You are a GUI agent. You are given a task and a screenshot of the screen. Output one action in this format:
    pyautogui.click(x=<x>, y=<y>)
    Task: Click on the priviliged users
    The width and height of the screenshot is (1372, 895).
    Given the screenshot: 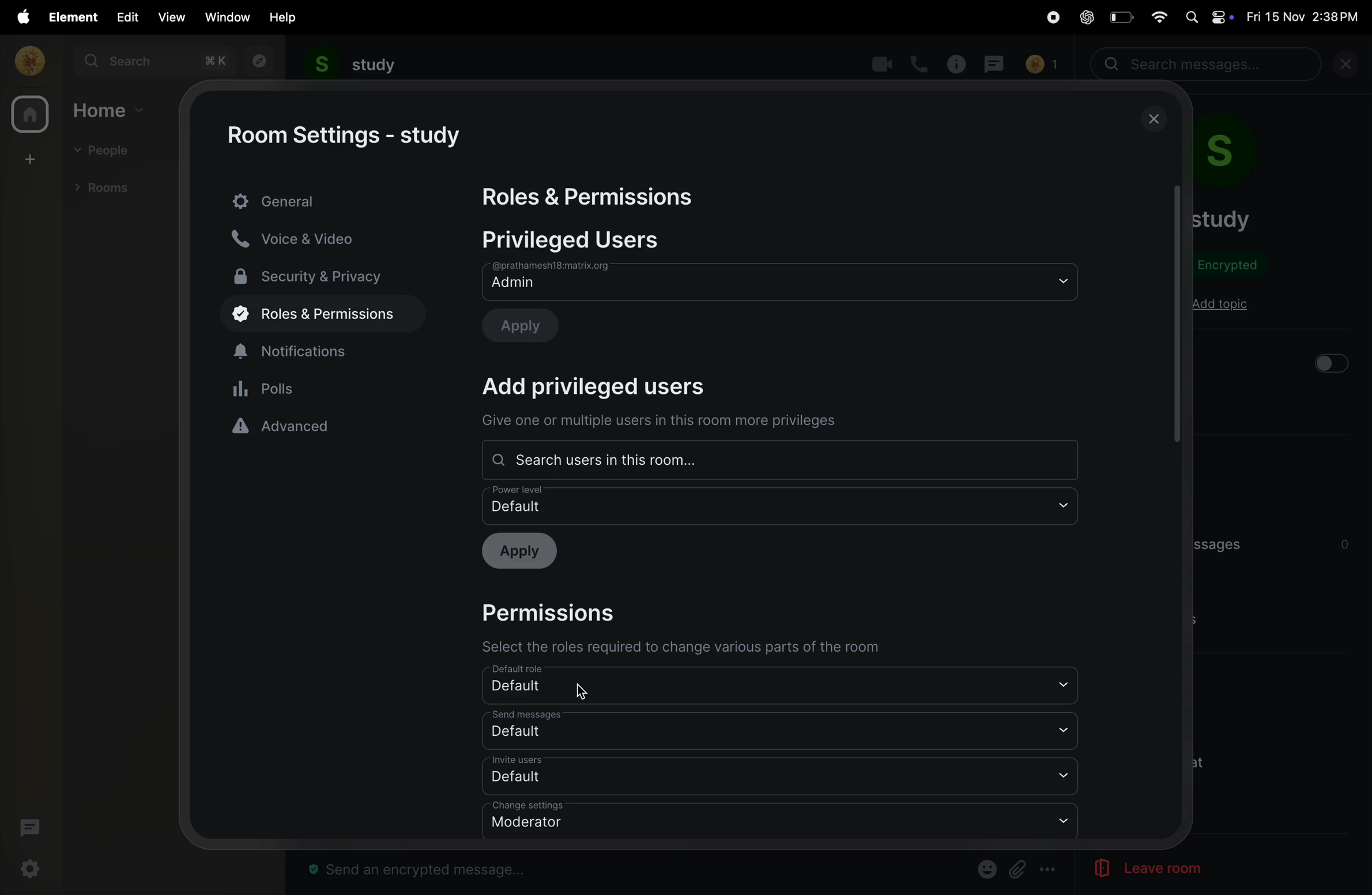 What is the action you would take?
    pyautogui.click(x=583, y=240)
    